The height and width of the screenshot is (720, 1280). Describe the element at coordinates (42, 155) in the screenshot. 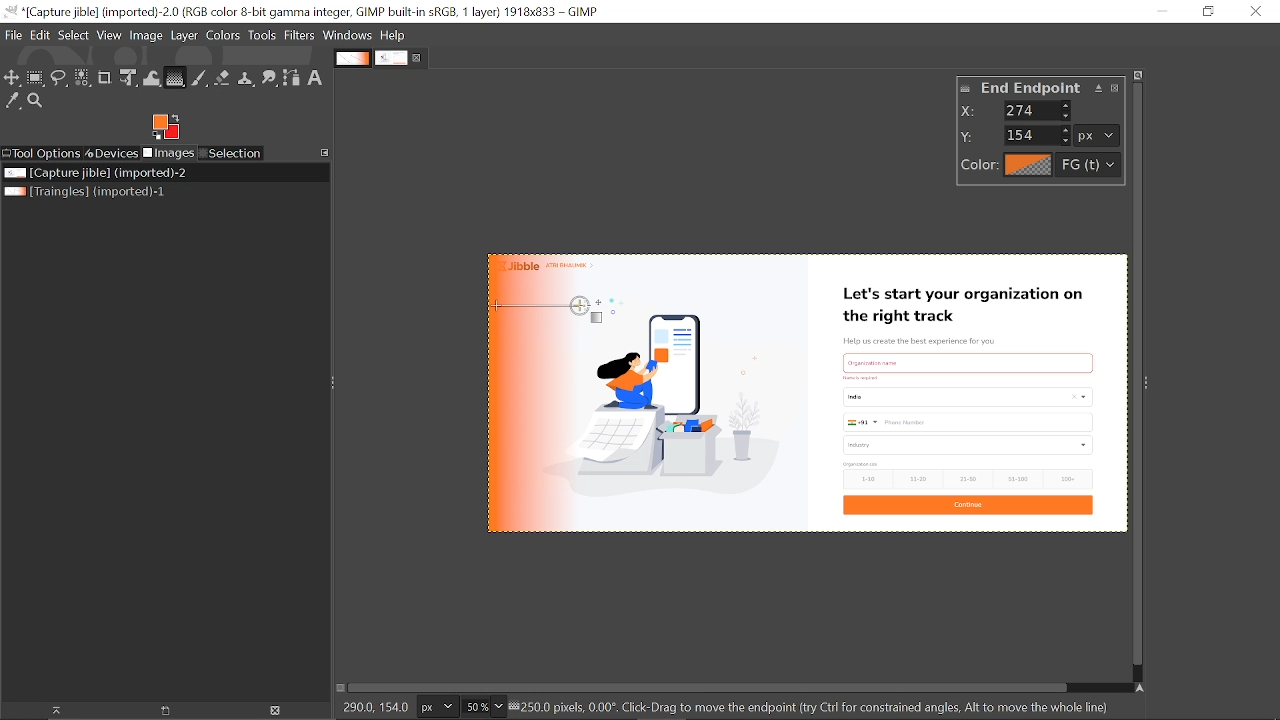

I see `Tool options` at that location.